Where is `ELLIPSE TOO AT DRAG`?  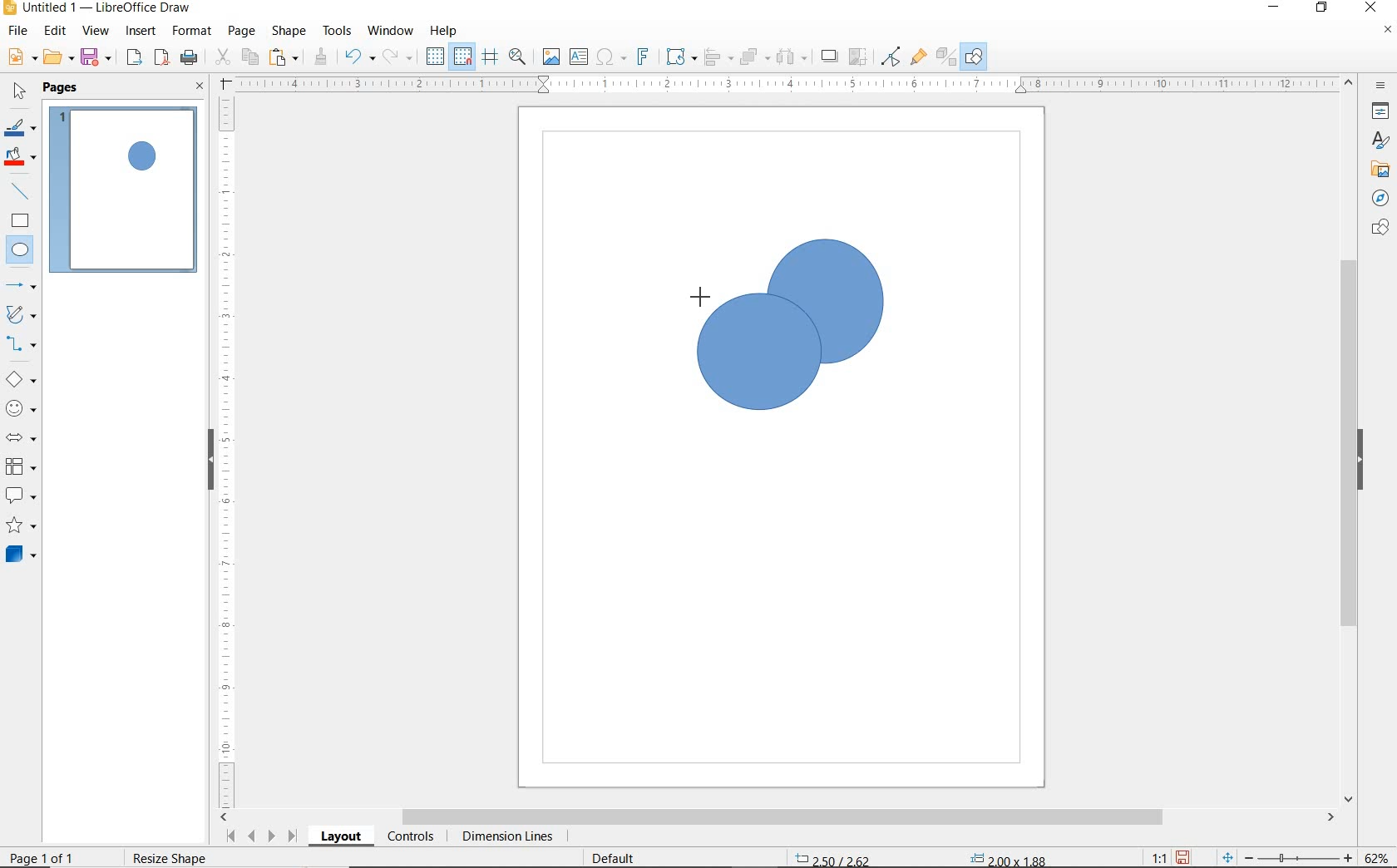
ELLIPSE TOO AT DRAG is located at coordinates (881, 242).